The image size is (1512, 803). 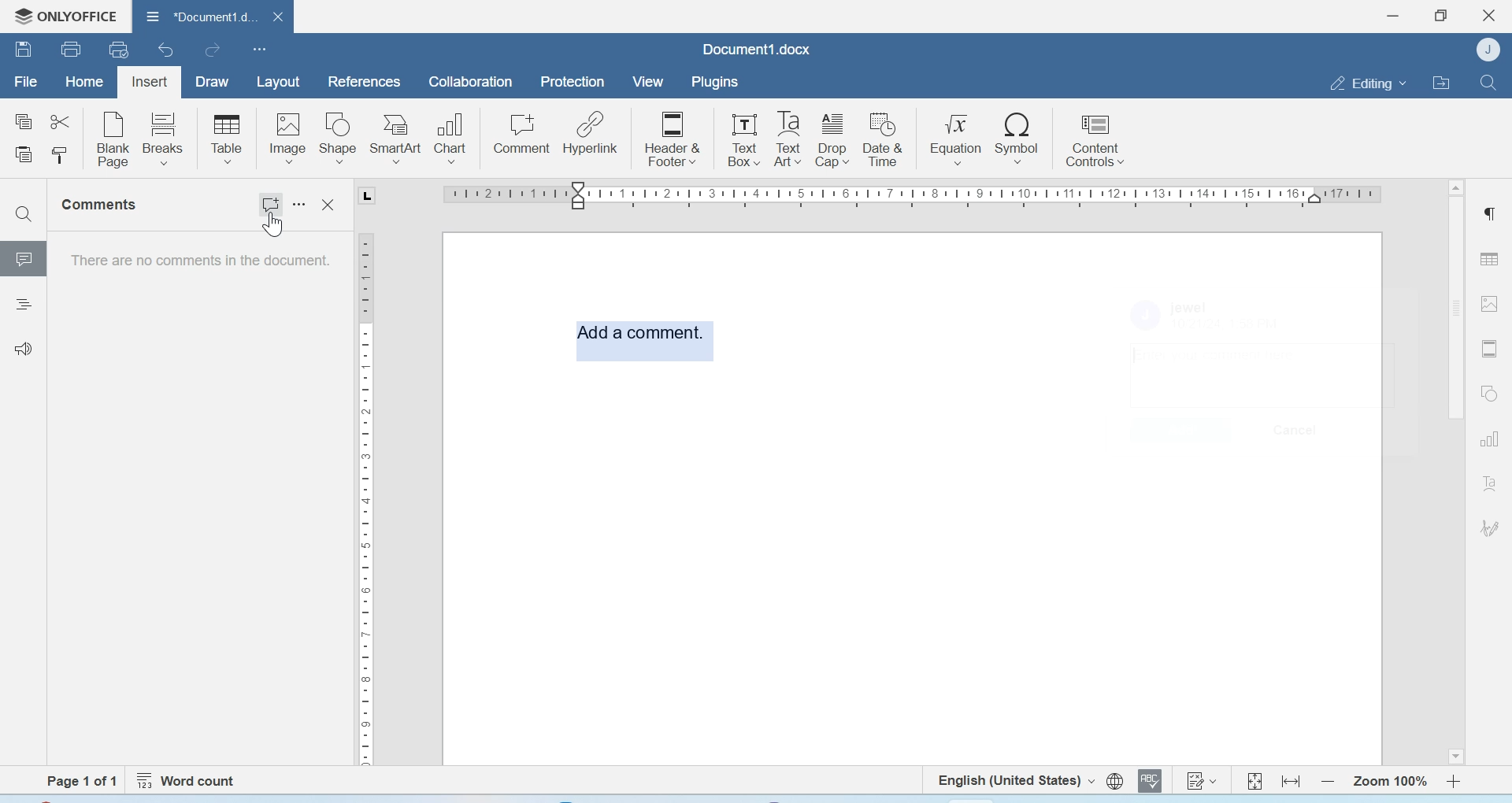 I want to click on Drop cafe, so click(x=834, y=139).